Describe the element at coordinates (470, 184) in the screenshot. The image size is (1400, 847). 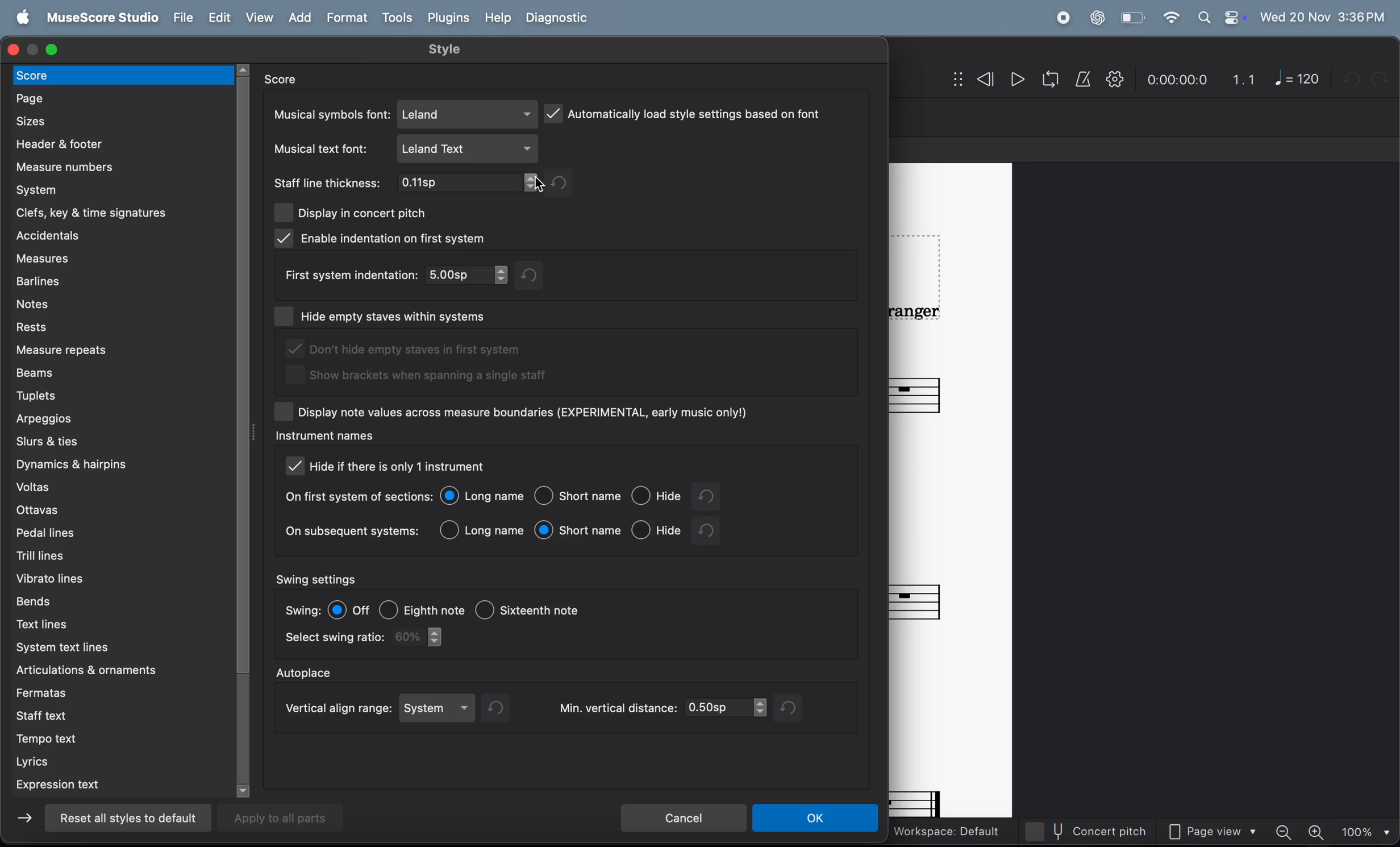
I see `0,11 tp` at that location.